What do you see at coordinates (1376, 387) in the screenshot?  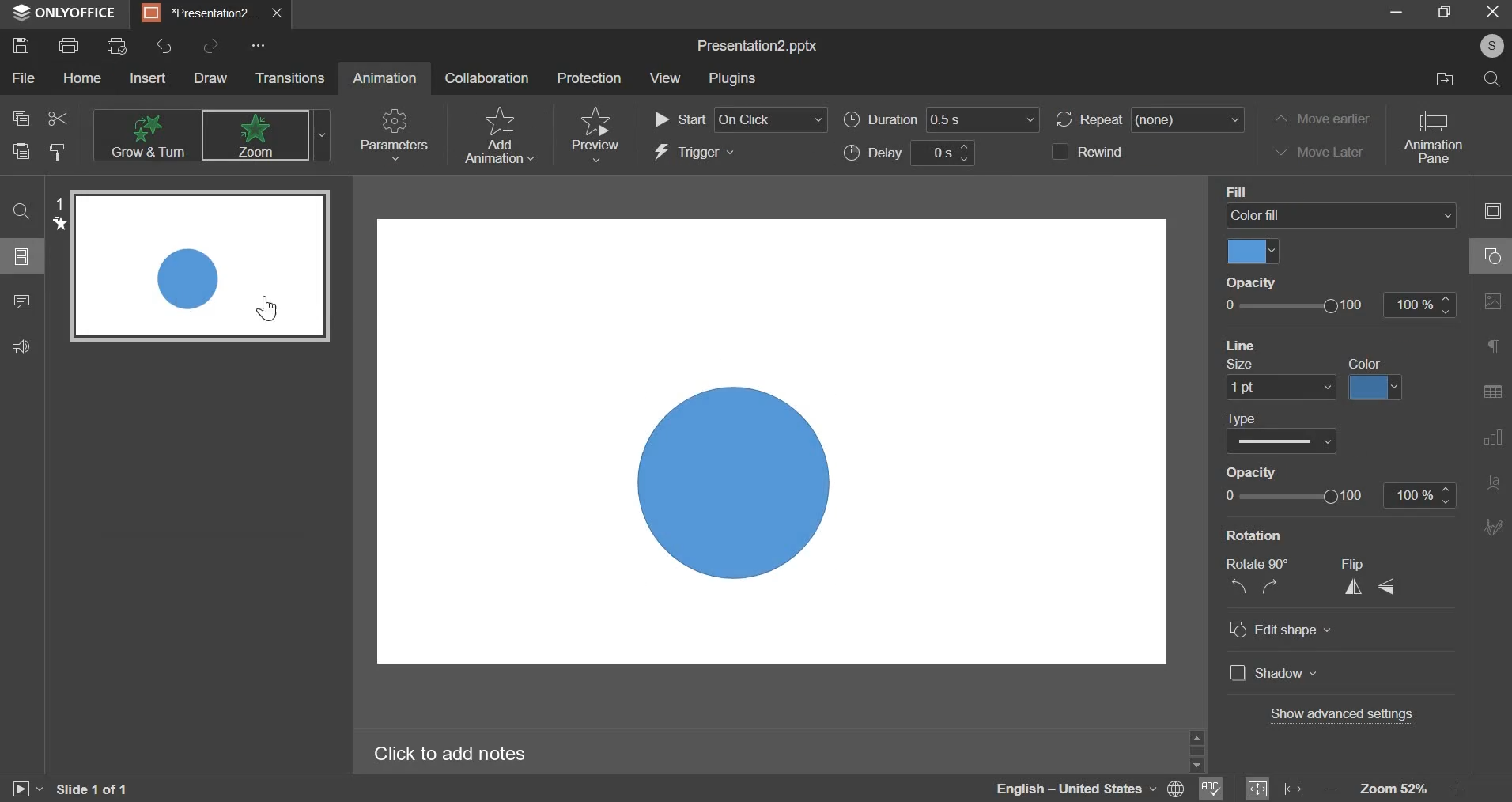 I see `line color` at bounding box center [1376, 387].